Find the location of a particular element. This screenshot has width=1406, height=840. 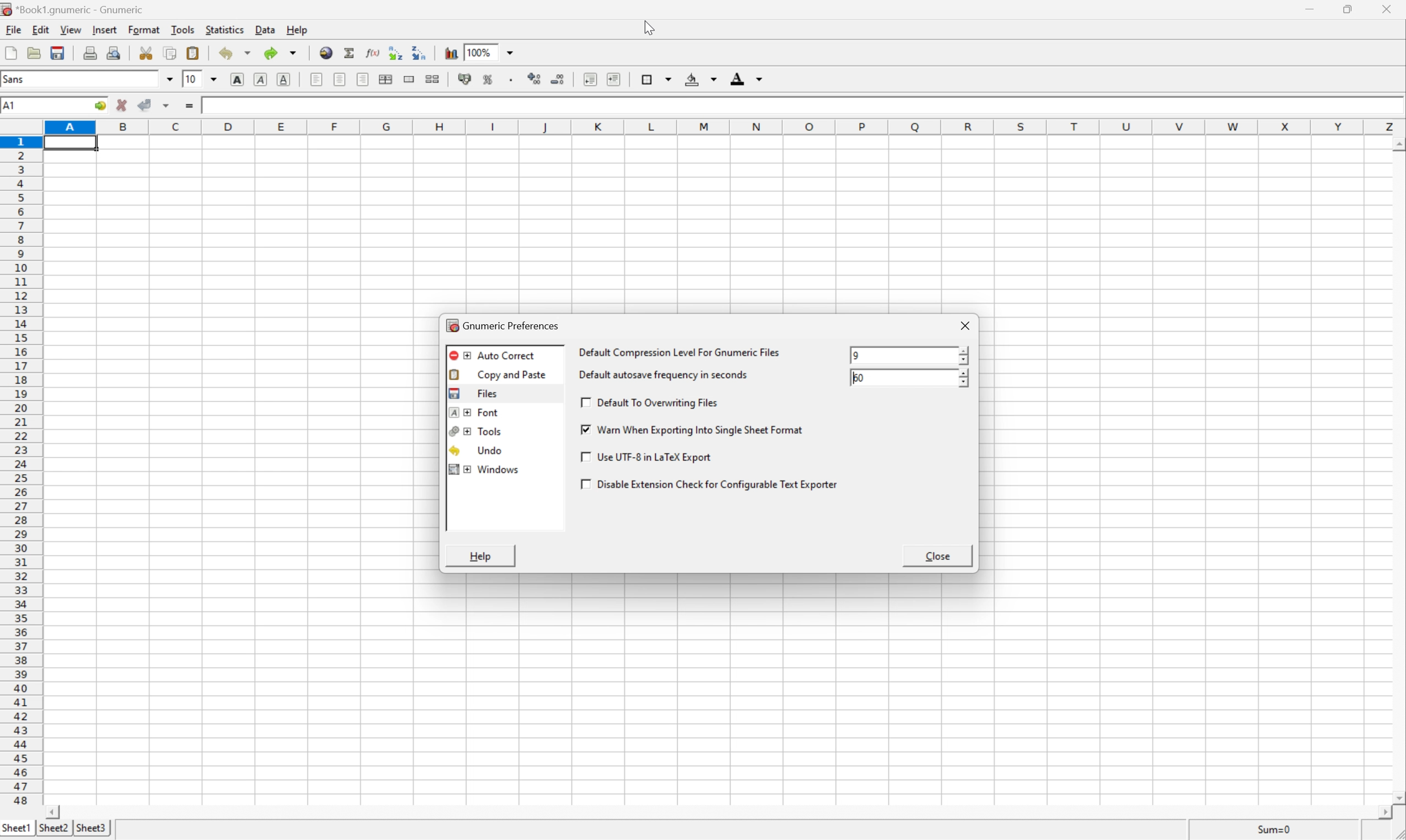

open a file is located at coordinates (35, 52).